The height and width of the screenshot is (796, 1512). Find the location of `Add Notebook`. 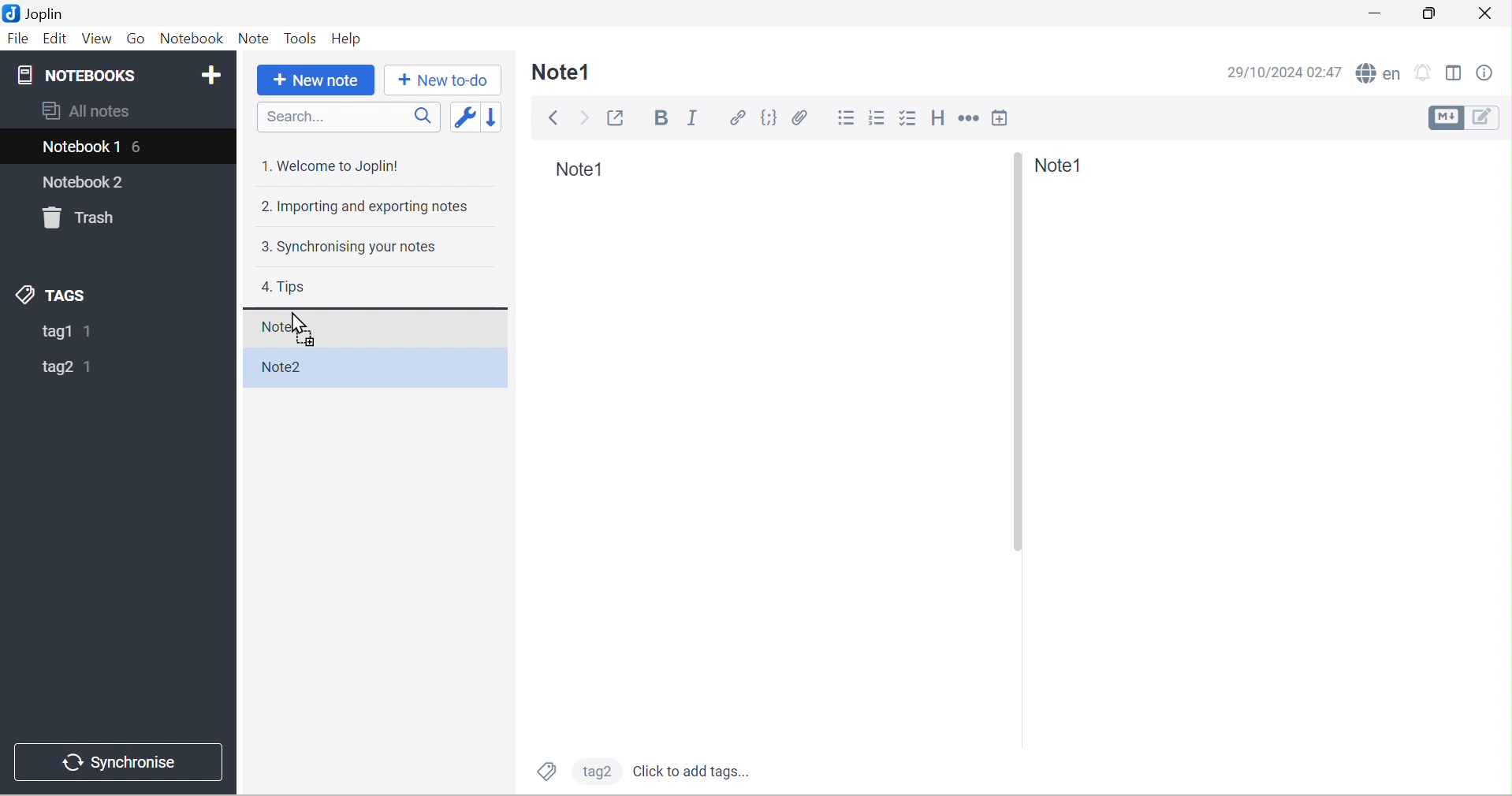

Add Notebook is located at coordinates (216, 76).